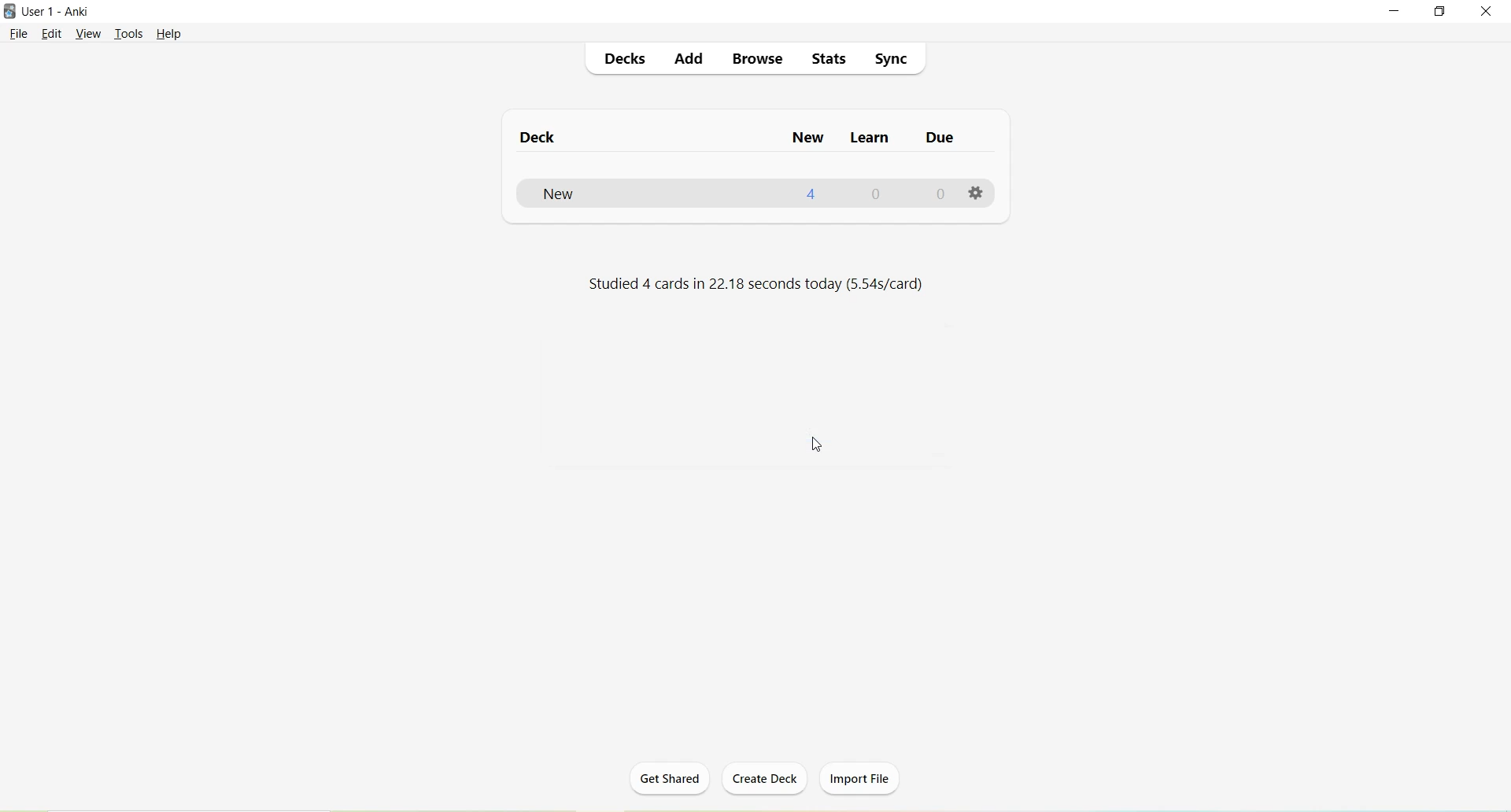 Image resolution: width=1511 pixels, height=812 pixels. What do you see at coordinates (829, 58) in the screenshot?
I see `Stats` at bounding box center [829, 58].